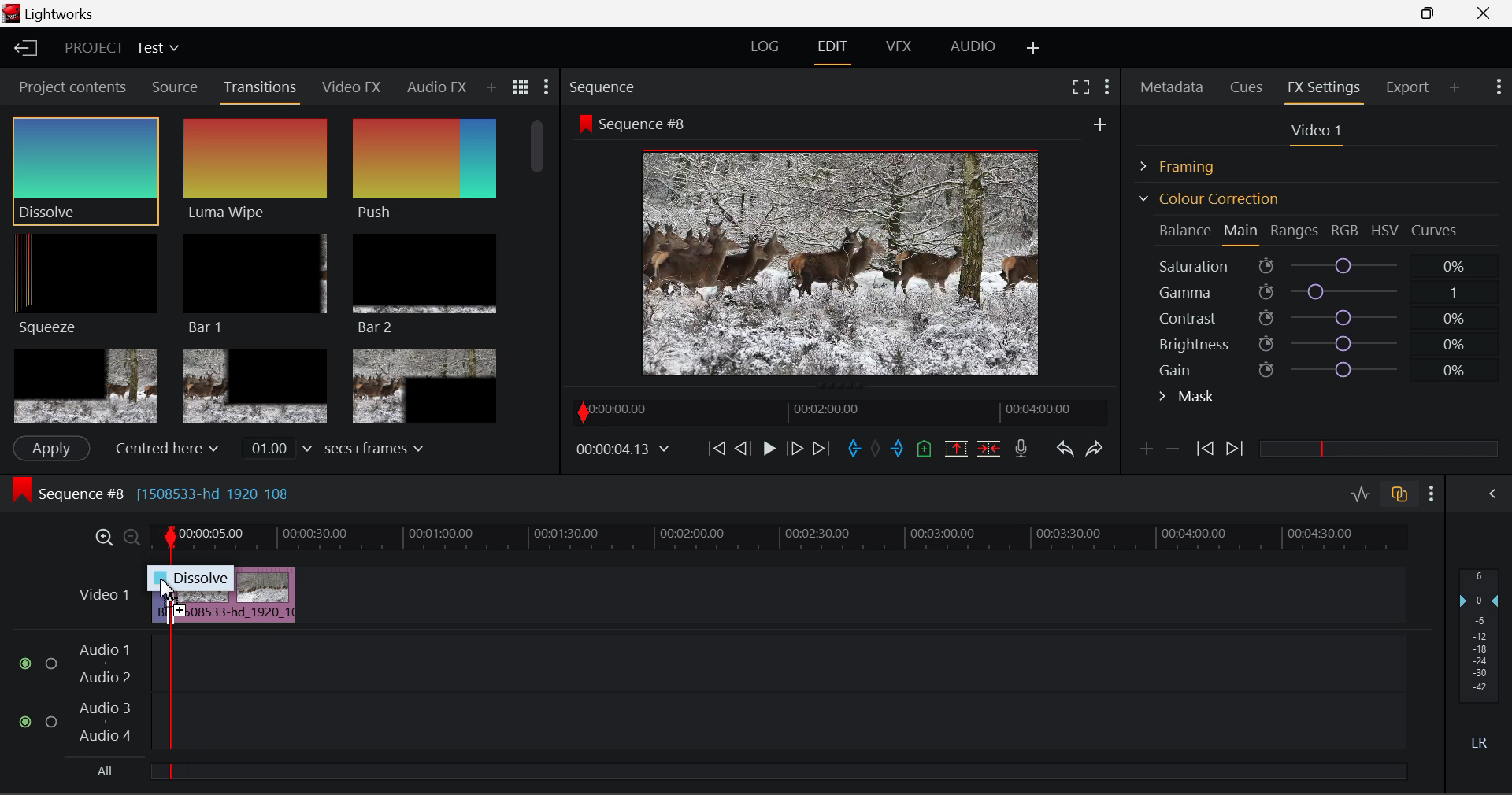 The width and height of the screenshot is (1512, 795). What do you see at coordinates (1318, 317) in the screenshot?
I see `Contrast` at bounding box center [1318, 317].